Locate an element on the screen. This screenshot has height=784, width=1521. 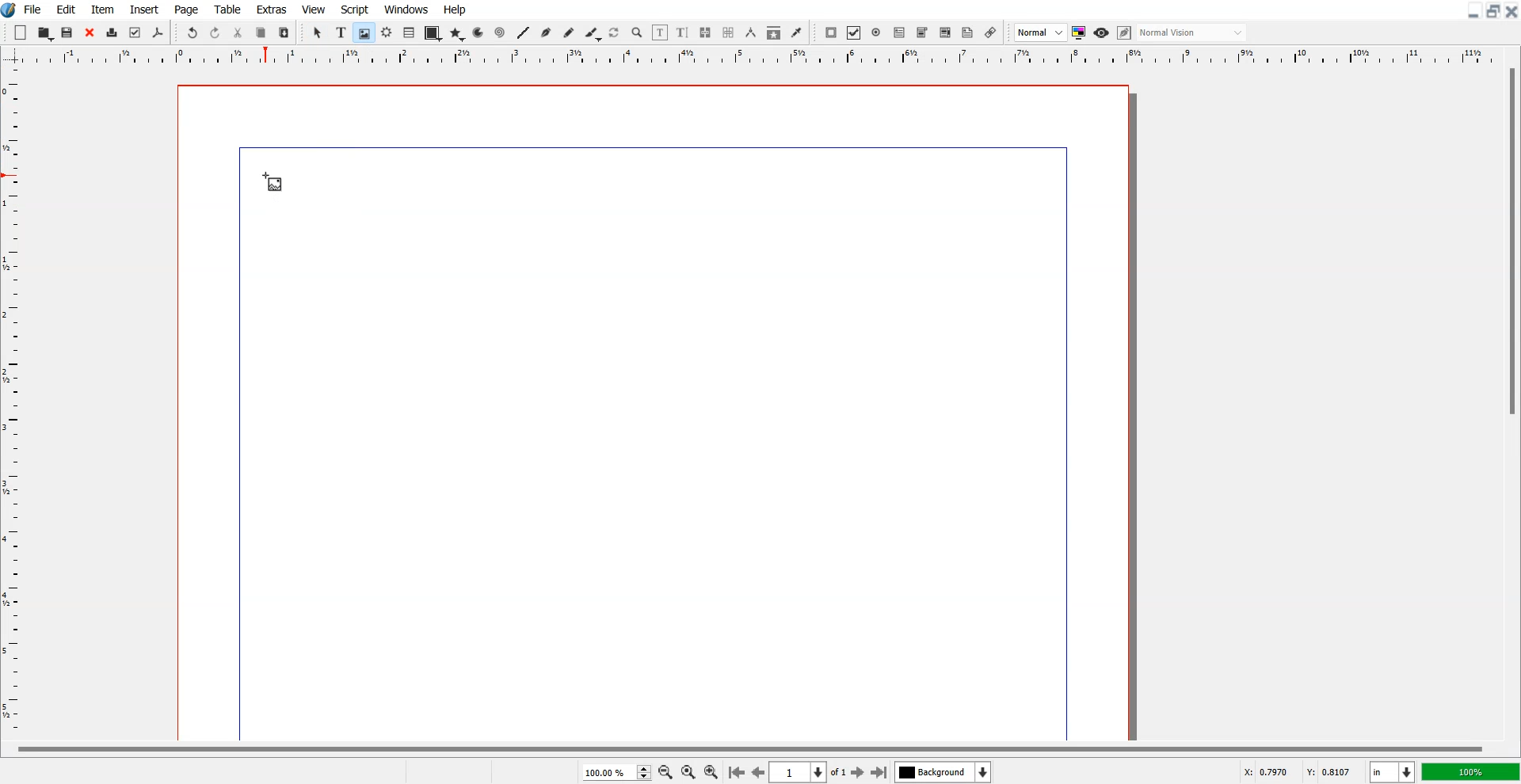
Edit in preview mode is located at coordinates (1125, 32).